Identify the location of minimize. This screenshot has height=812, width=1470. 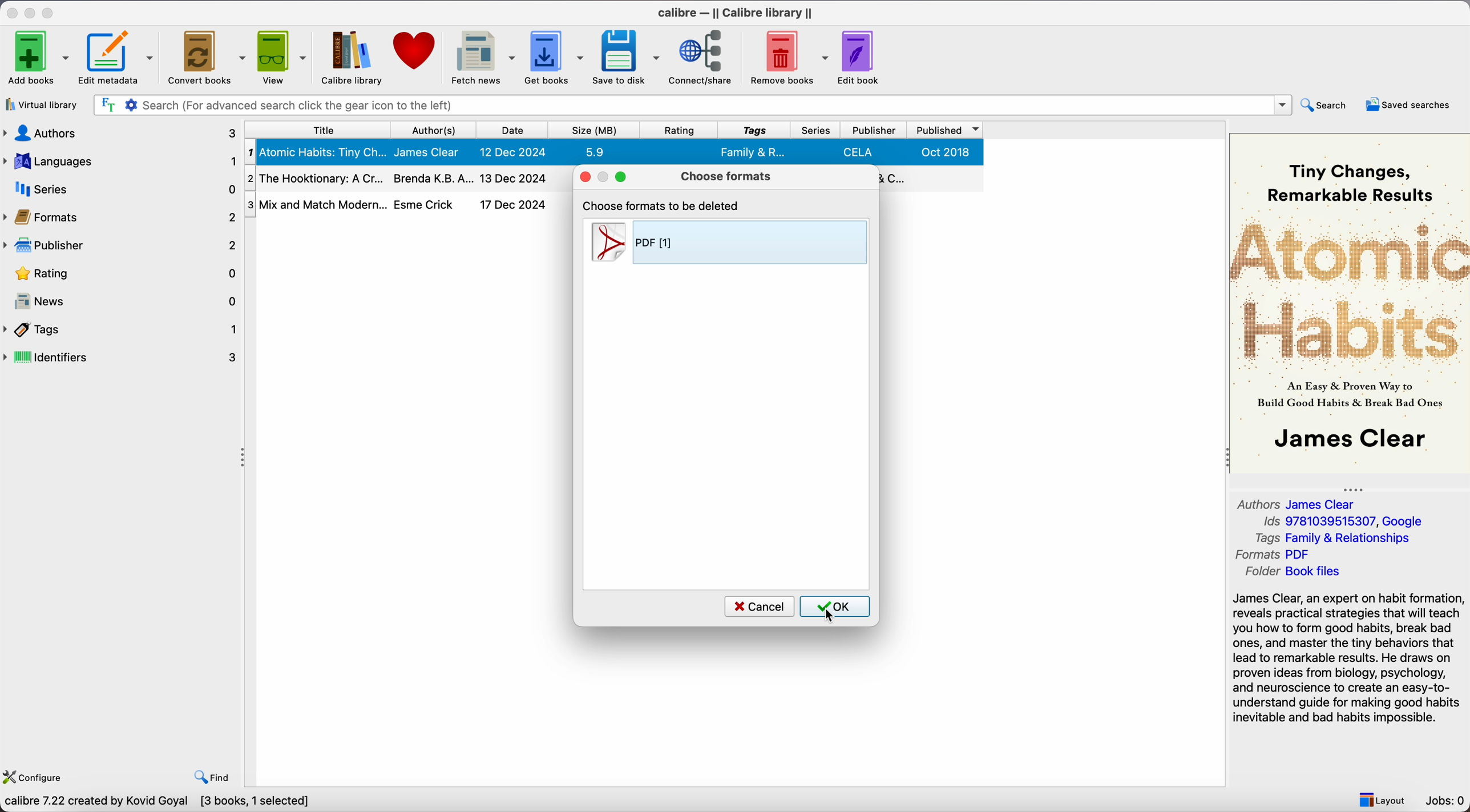
(32, 14).